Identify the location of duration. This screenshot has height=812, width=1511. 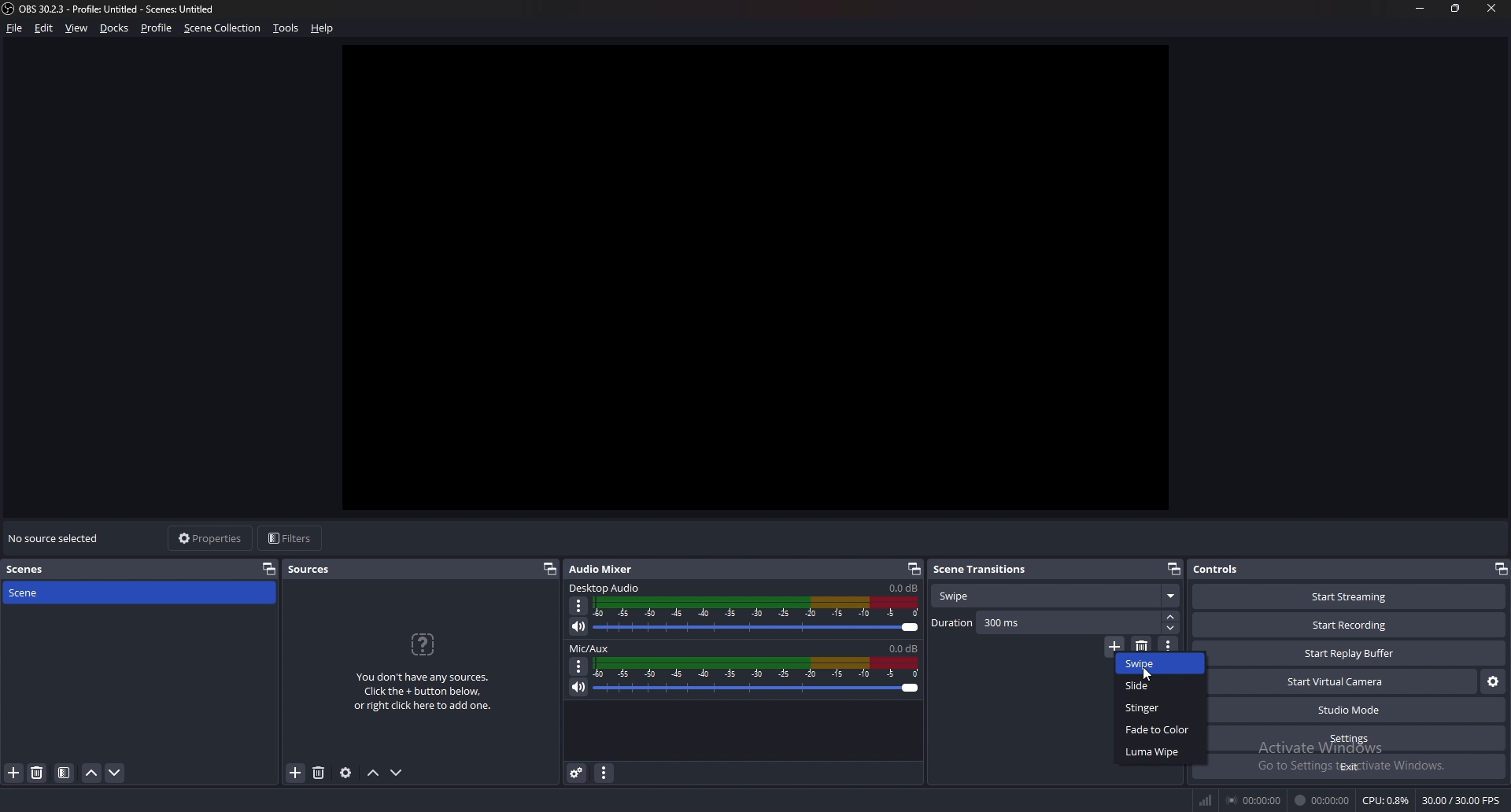
(1045, 622).